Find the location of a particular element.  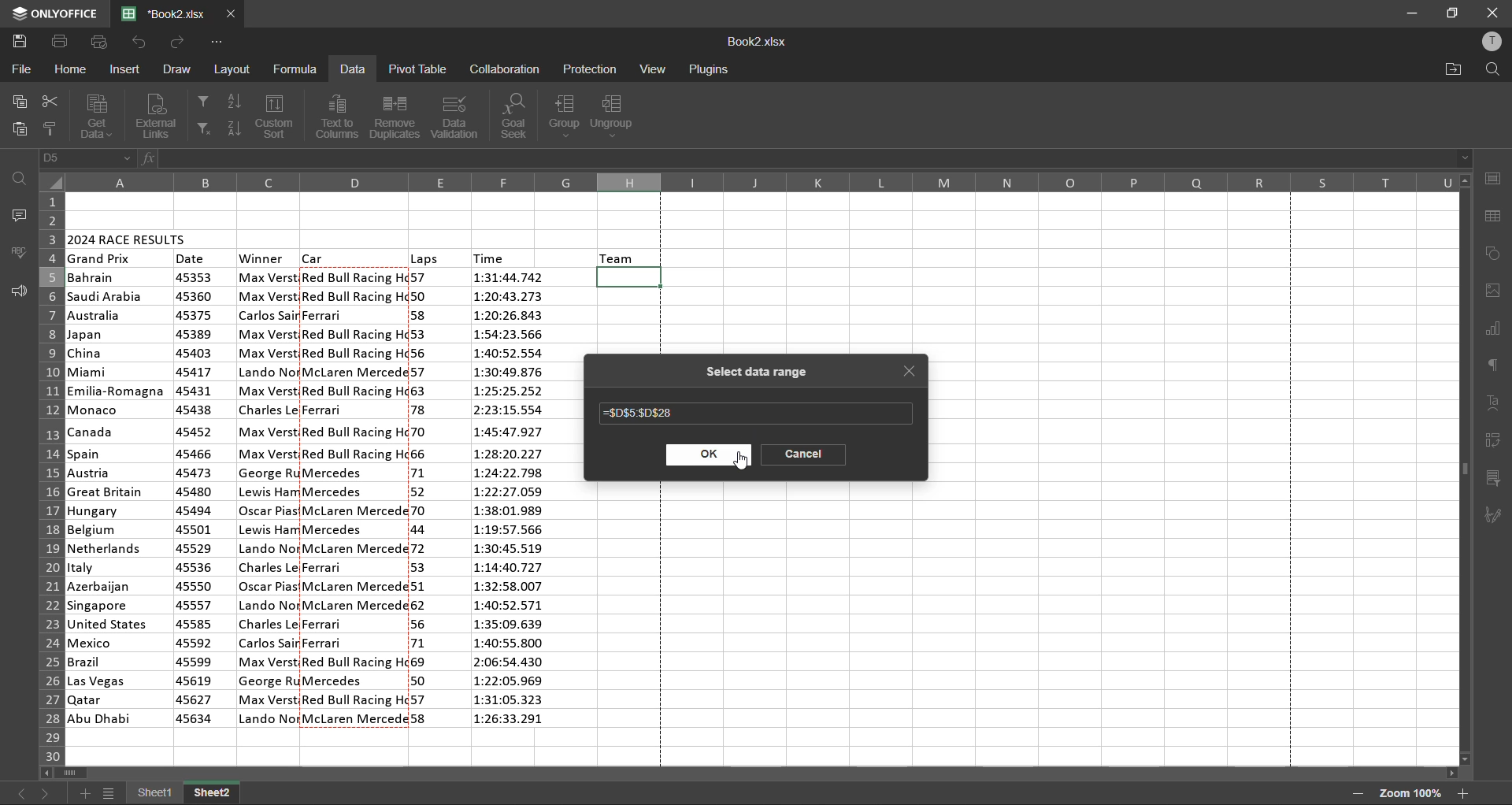

team is located at coordinates (618, 257).